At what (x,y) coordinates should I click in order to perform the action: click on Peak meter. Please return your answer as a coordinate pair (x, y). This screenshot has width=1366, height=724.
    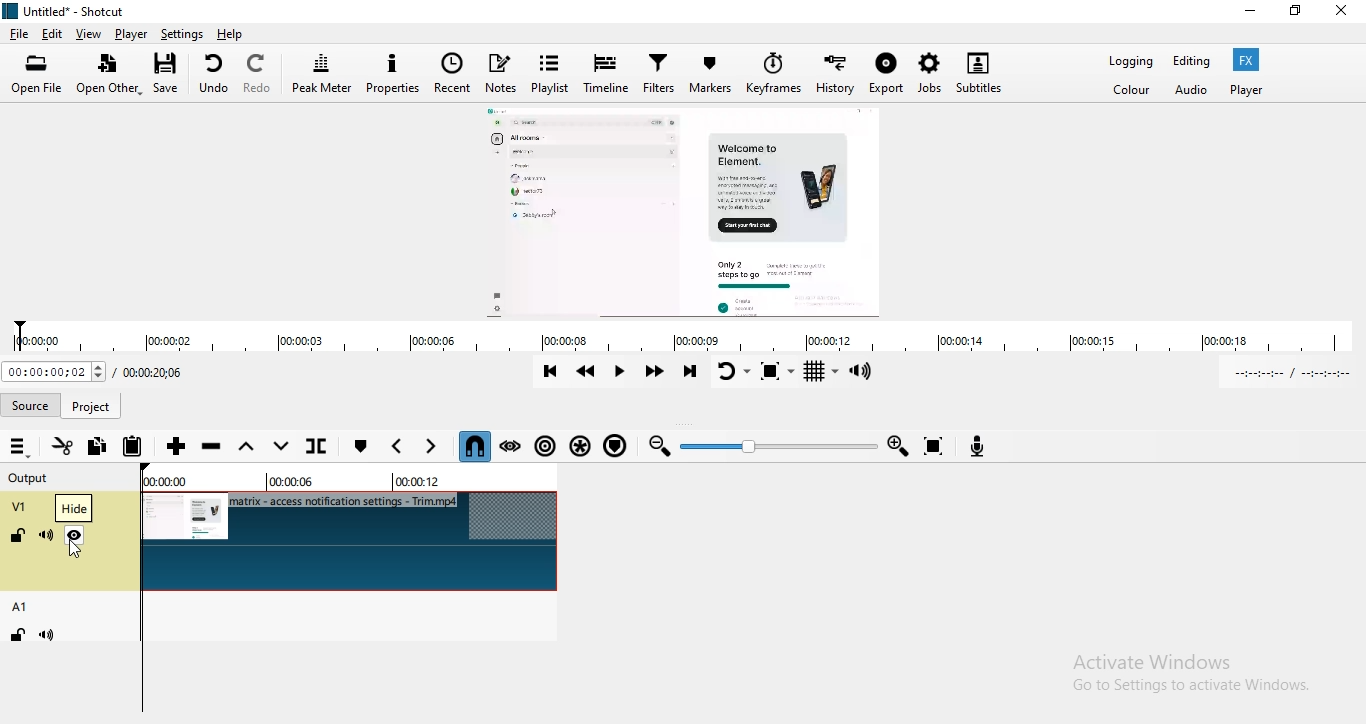
    Looking at the image, I should click on (321, 74).